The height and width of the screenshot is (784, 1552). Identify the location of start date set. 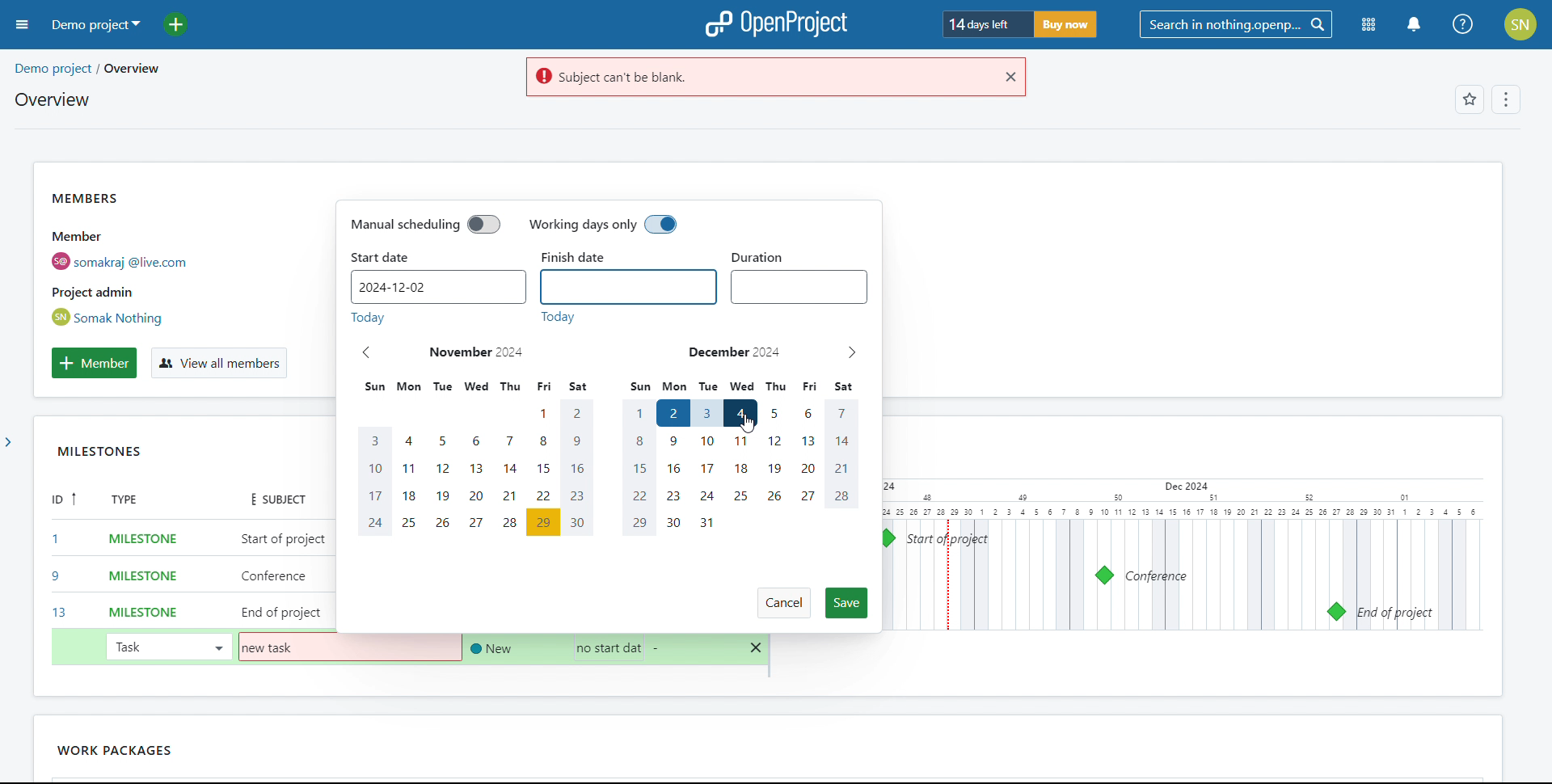
(436, 287).